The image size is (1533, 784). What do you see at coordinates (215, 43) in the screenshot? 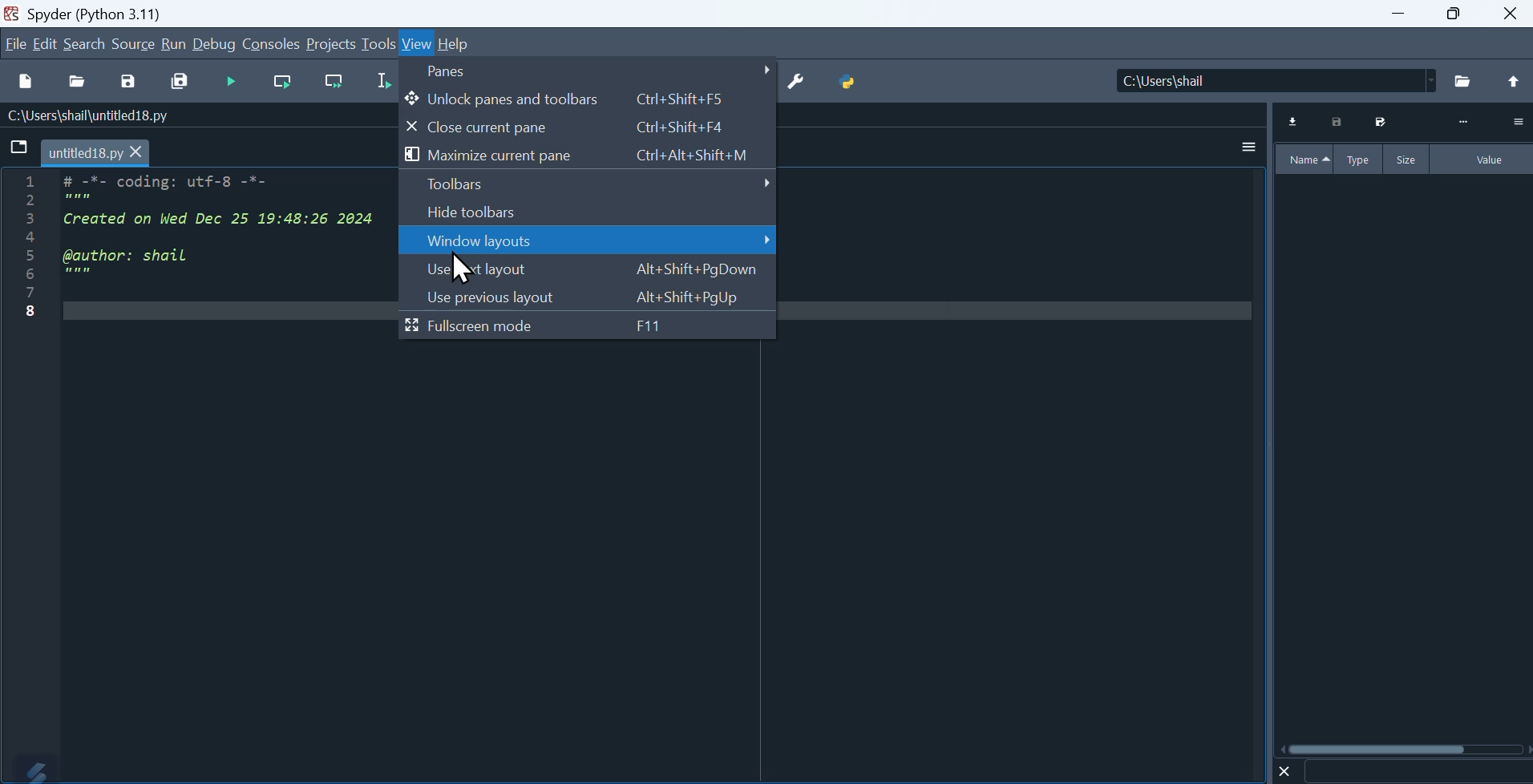
I see `Debug` at bounding box center [215, 43].